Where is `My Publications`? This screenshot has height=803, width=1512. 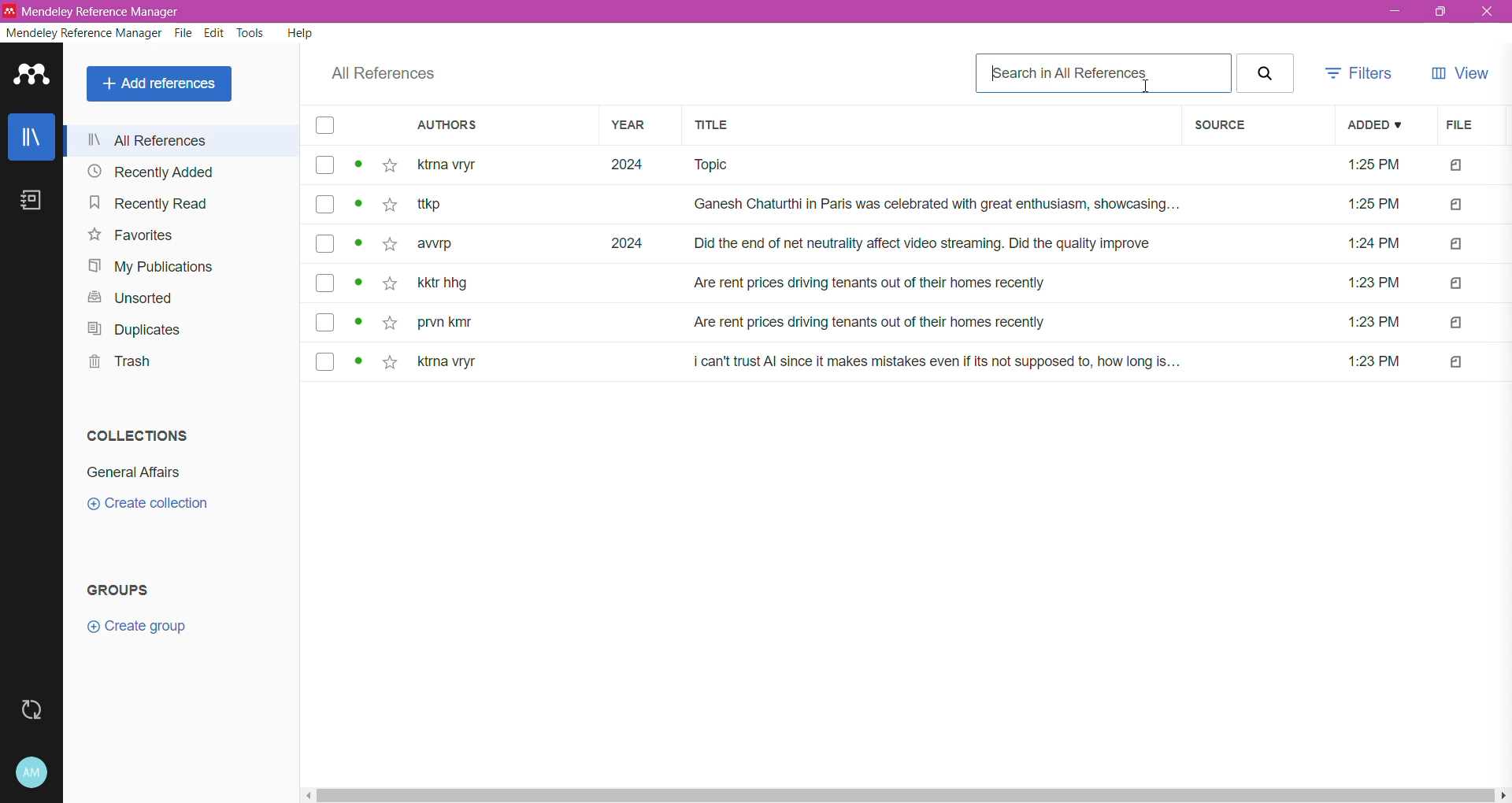
My Publications is located at coordinates (149, 266).